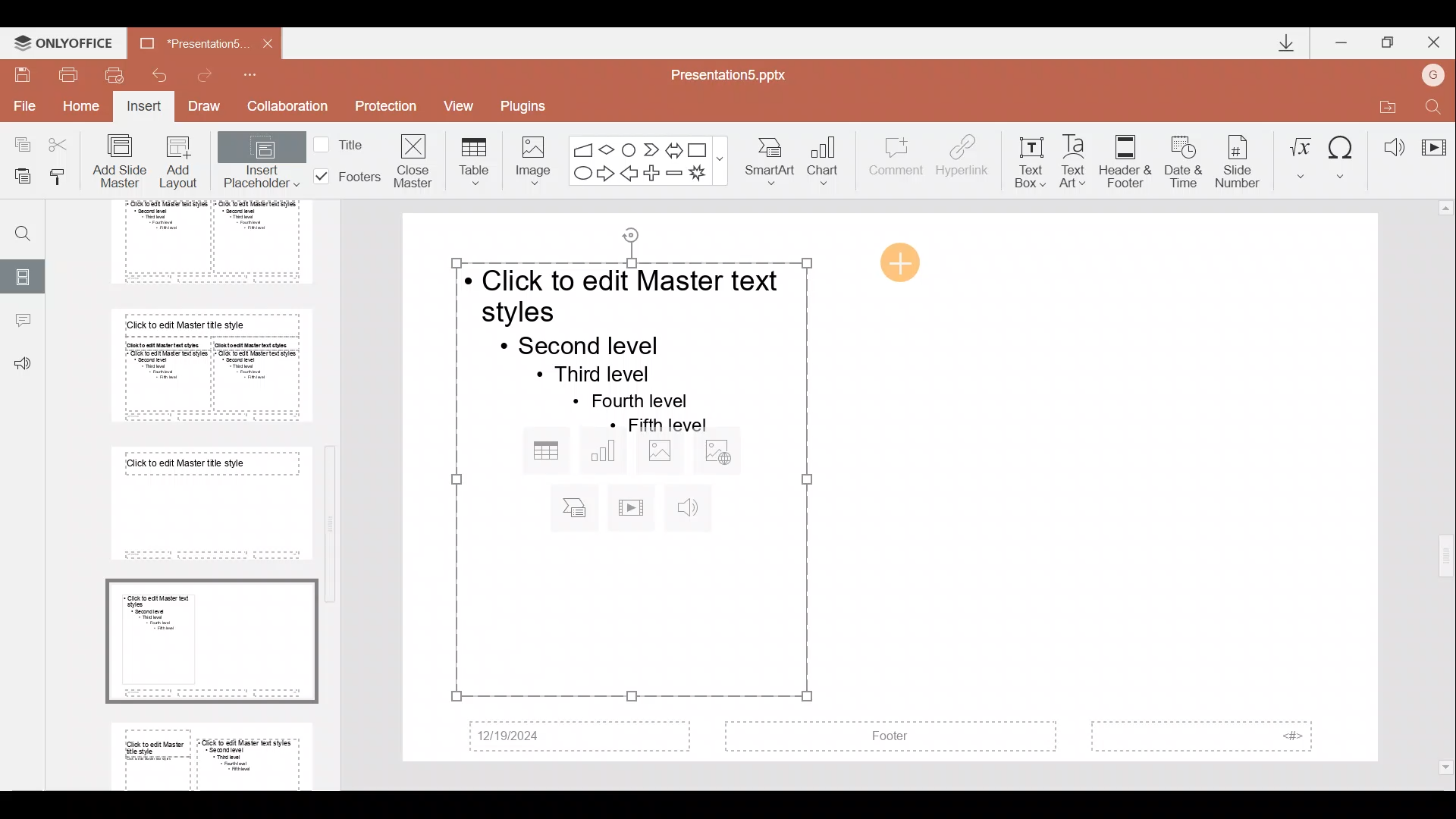 The height and width of the screenshot is (819, 1456). Describe the element at coordinates (833, 162) in the screenshot. I see `Chart` at that location.